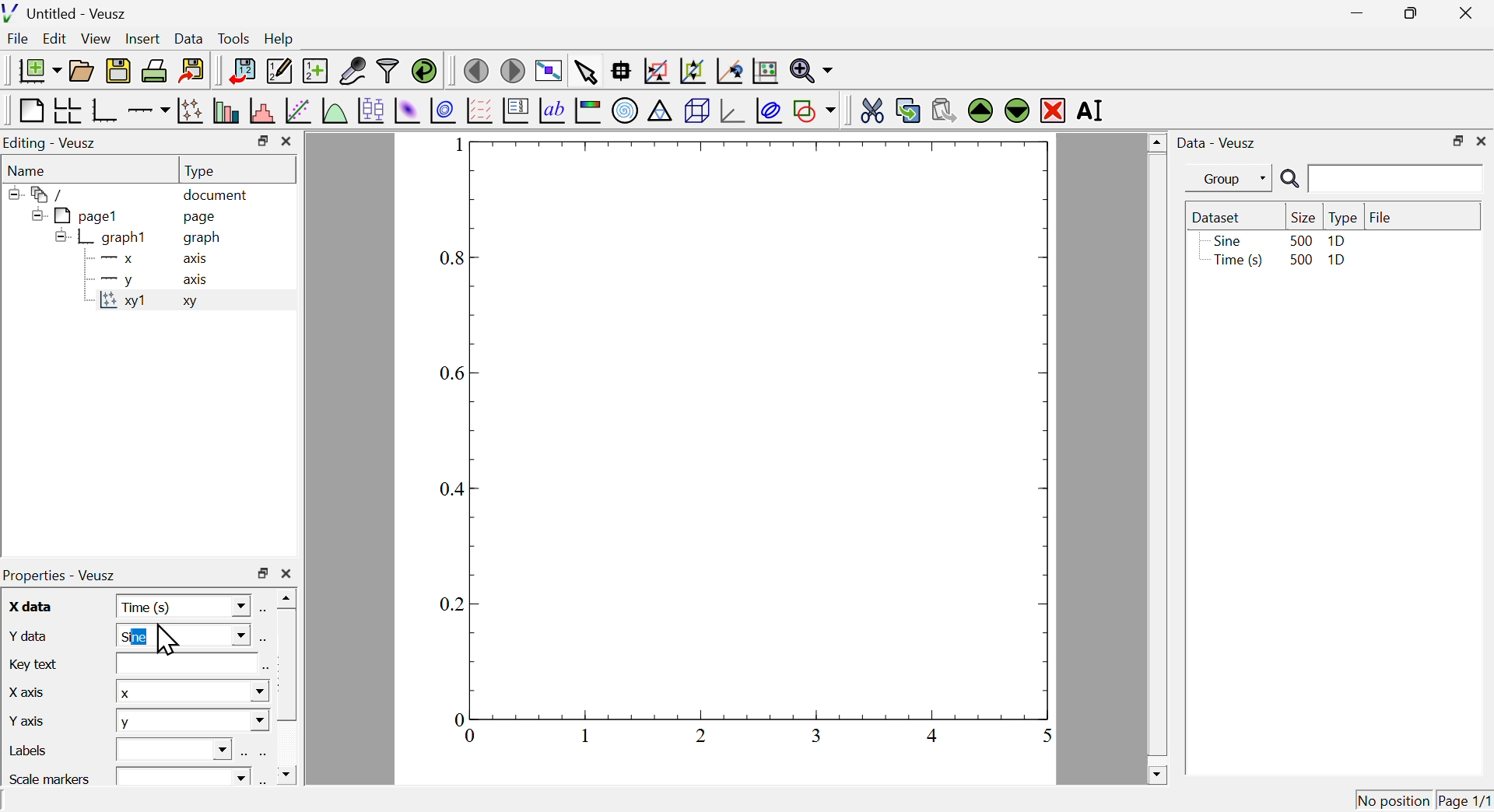  I want to click on name, so click(30, 170).